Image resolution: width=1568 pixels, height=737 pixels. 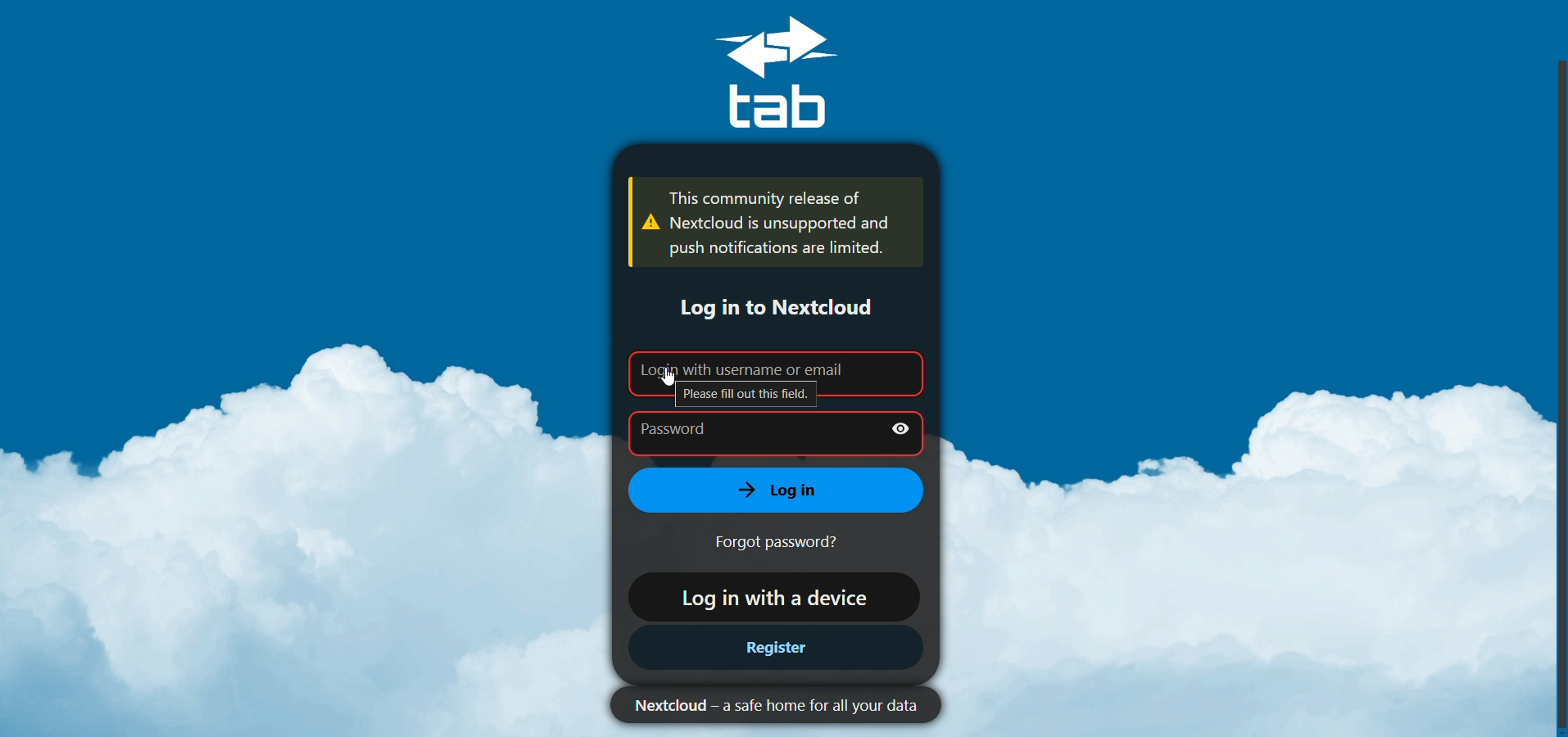 I want to click on Log in to Nextcloud, so click(x=764, y=305).